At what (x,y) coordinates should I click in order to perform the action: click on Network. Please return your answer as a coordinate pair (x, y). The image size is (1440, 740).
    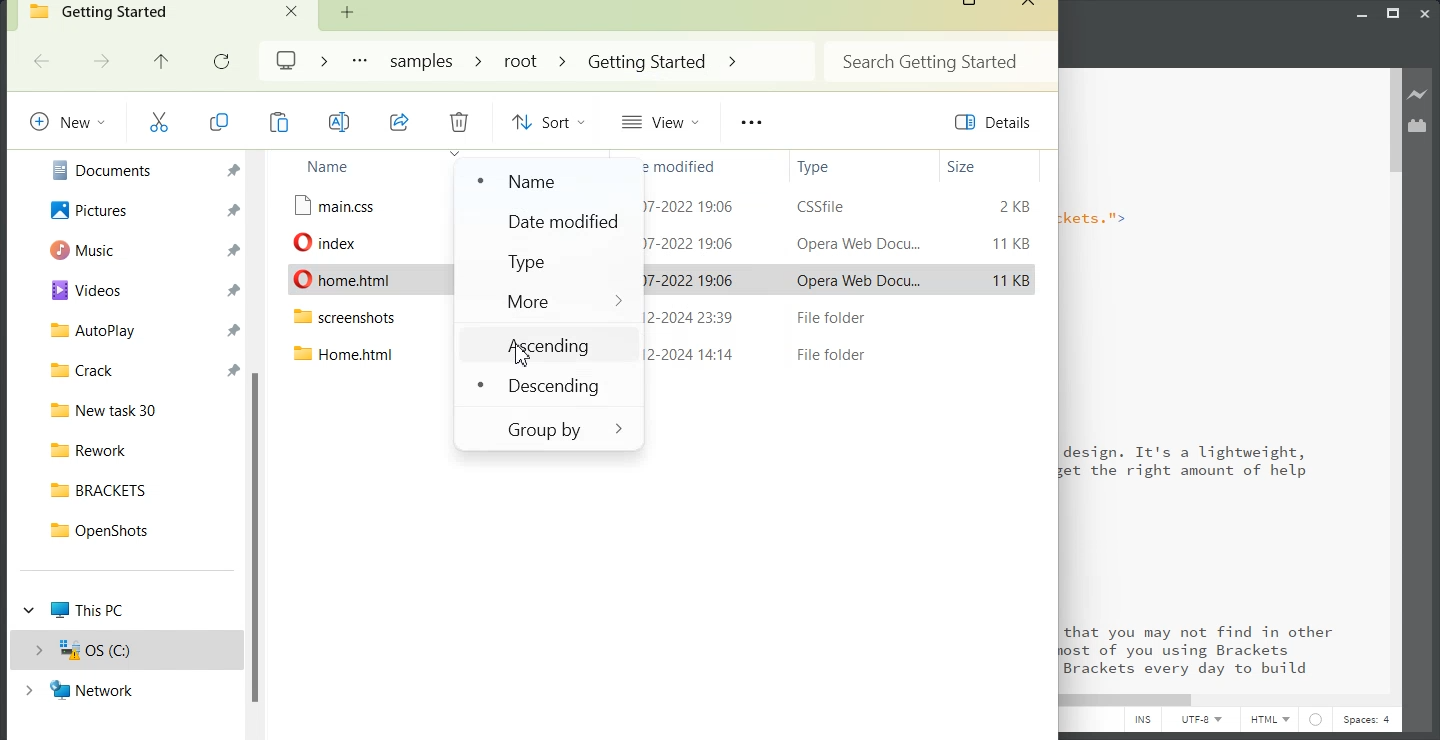
    Looking at the image, I should click on (128, 690).